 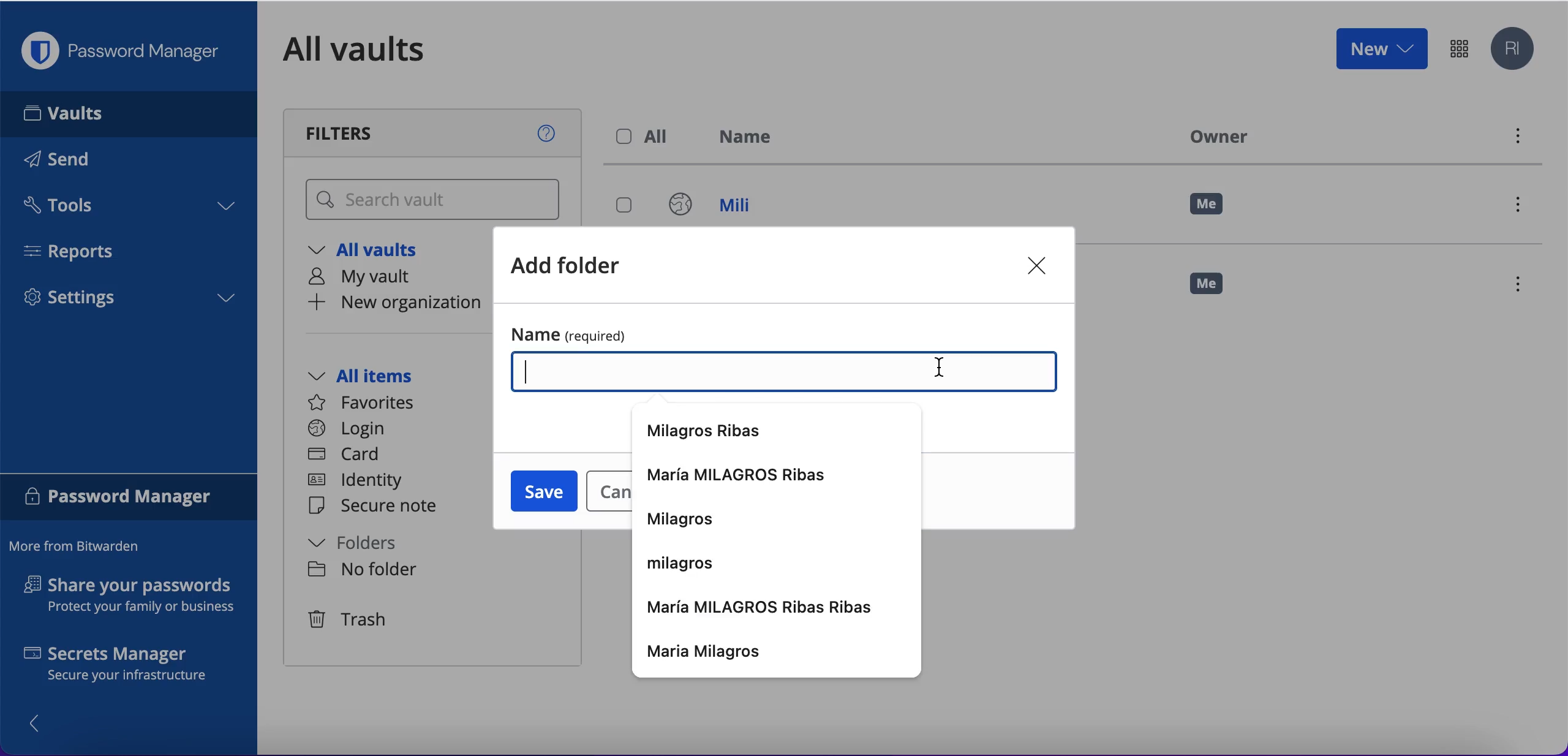 What do you see at coordinates (1208, 205) in the screenshot?
I see `me` at bounding box center [1208, 205].